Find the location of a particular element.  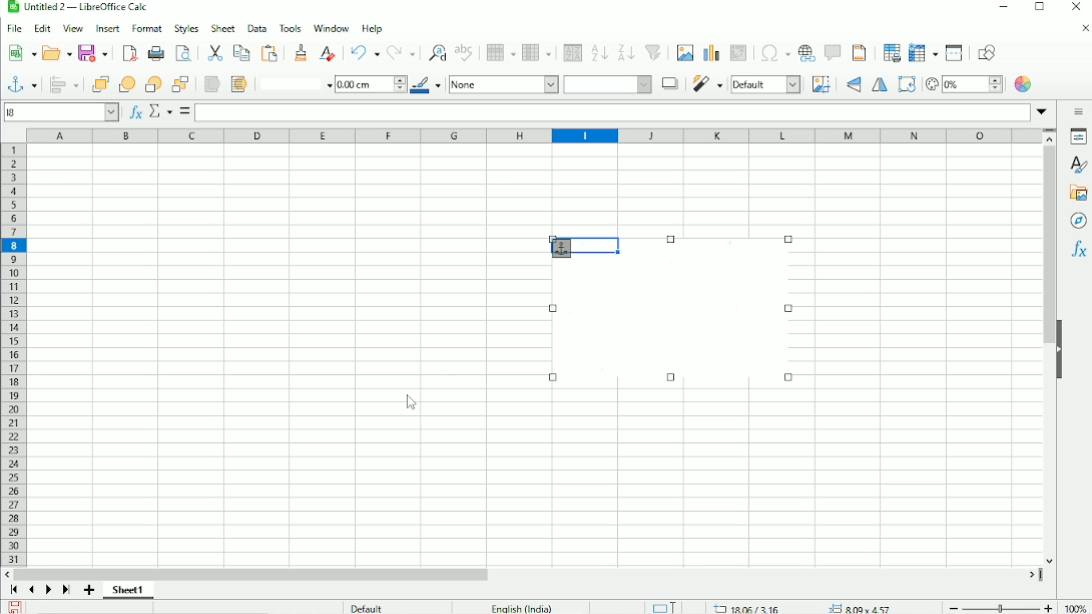

Close document is located at coordinates (1081, 29).